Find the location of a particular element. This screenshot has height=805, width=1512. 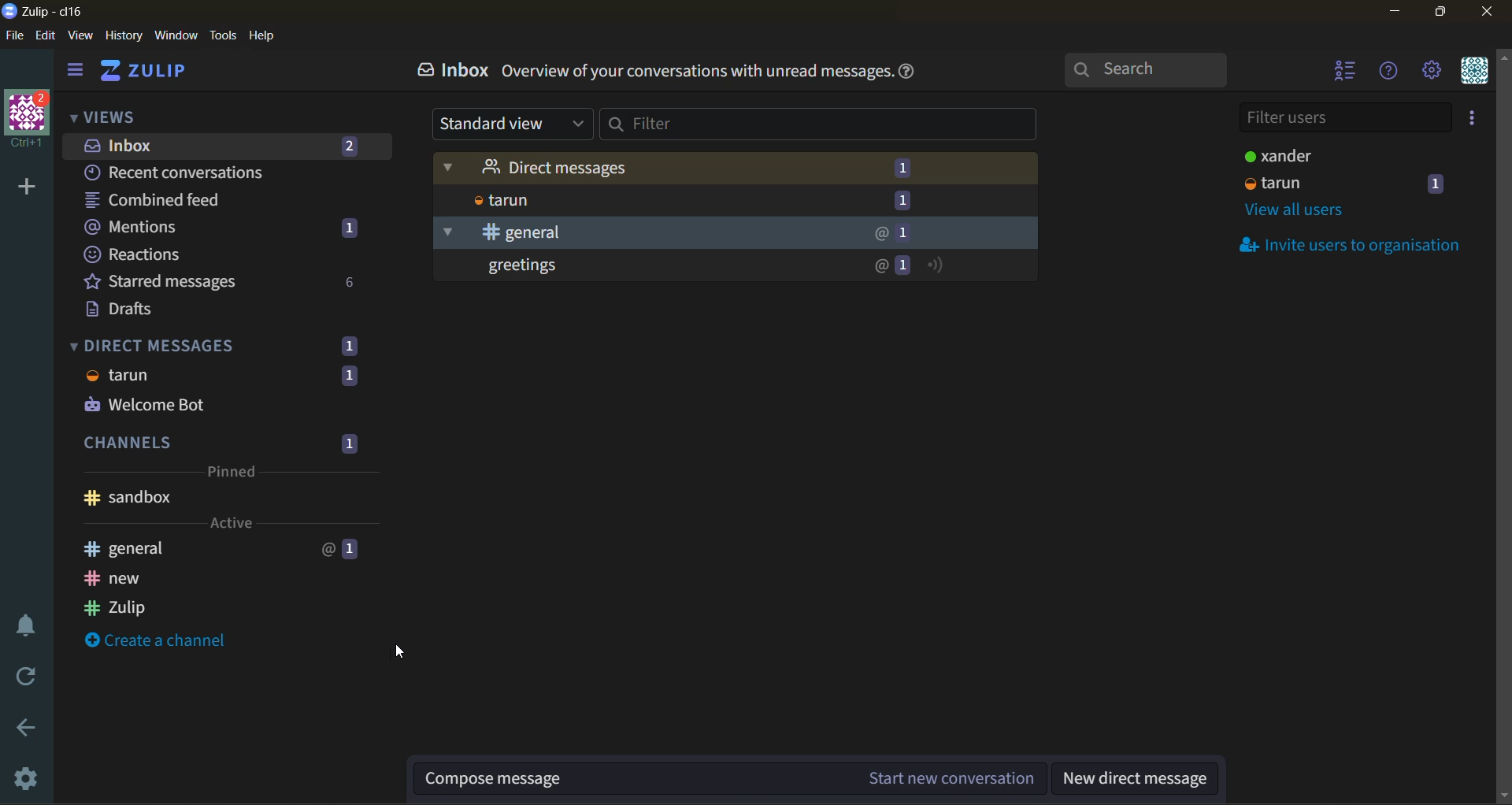

users and status is located at coordinates (1340, 156).